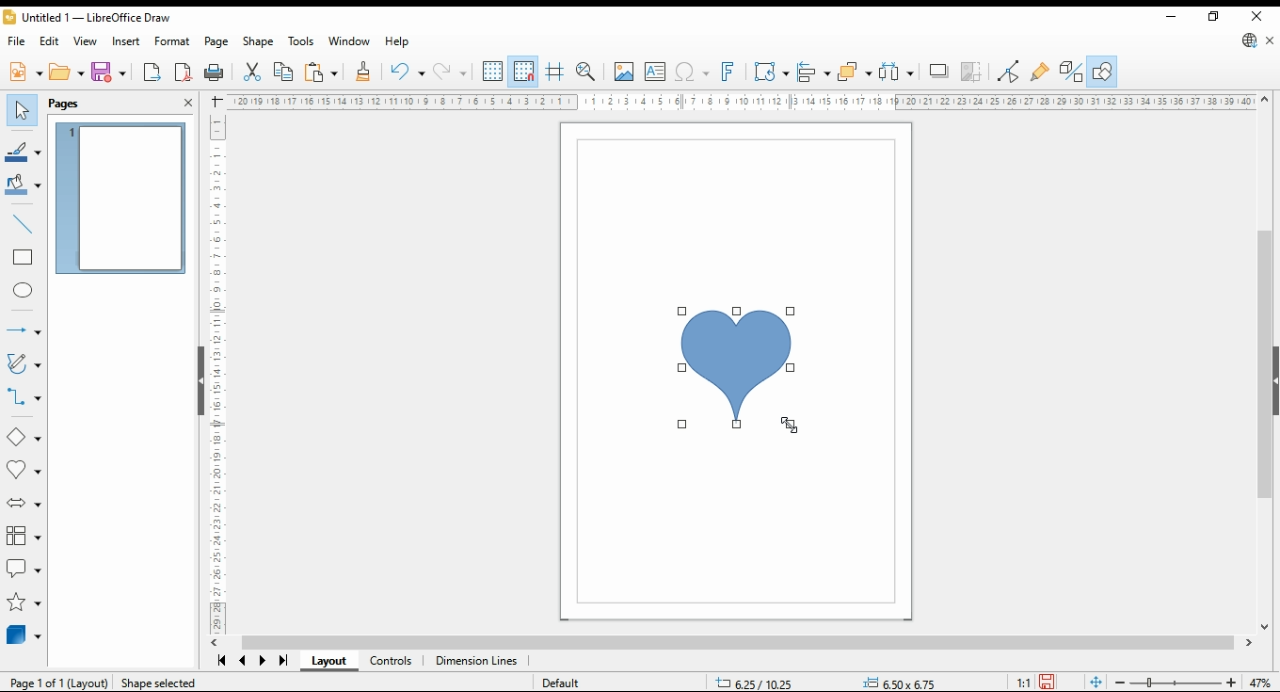 Image resolution: width=1280 pixels, height=692 pixels. Describe the element at coordinates (623, 72) in the screenshot. I see `insert picture` at that location.